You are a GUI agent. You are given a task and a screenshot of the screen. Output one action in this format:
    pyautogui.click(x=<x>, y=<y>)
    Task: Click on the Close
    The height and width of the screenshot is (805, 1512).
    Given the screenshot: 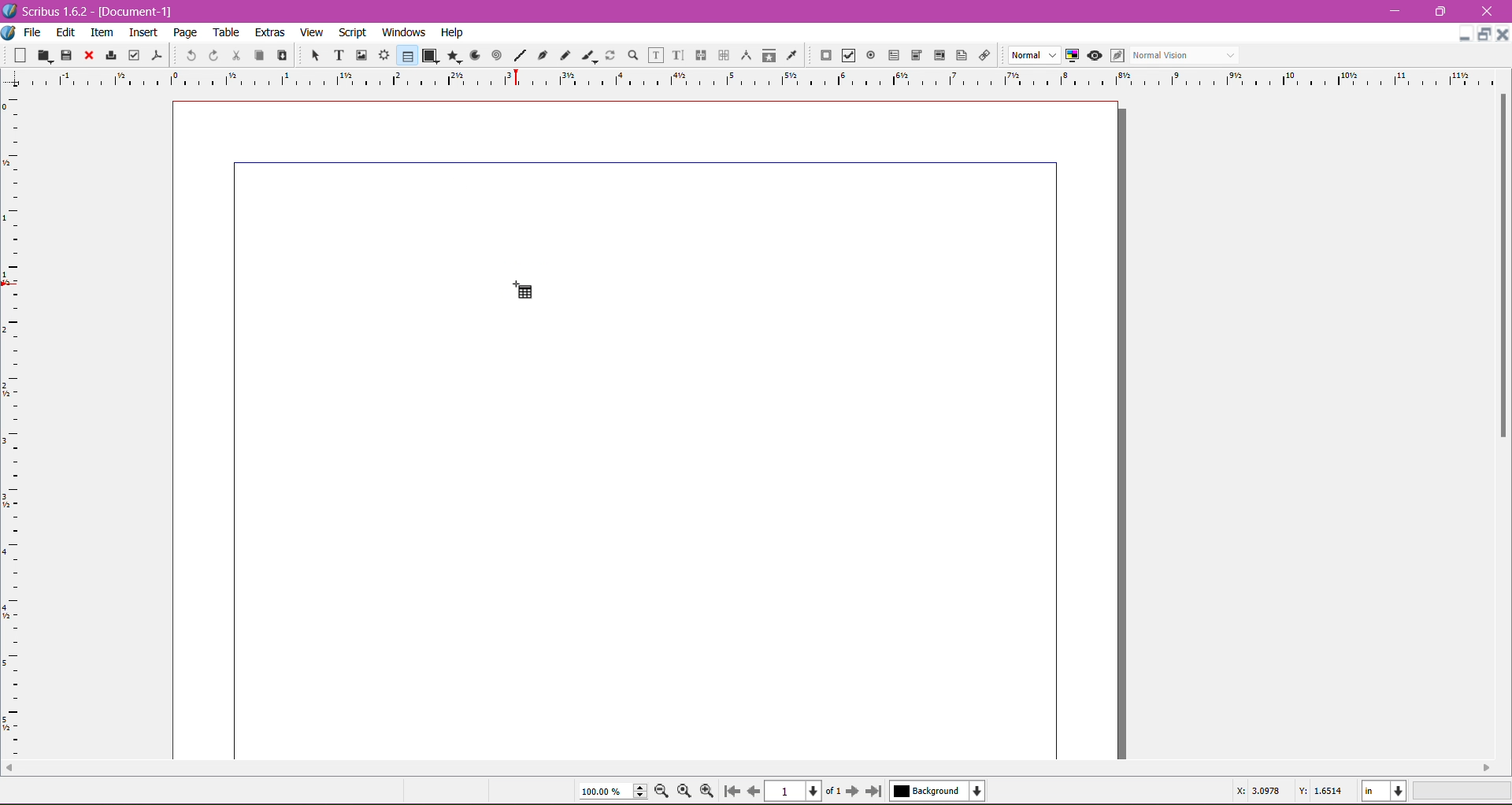 What is the action you would take?
    pyautogui.click(x=1488, y=12)
    